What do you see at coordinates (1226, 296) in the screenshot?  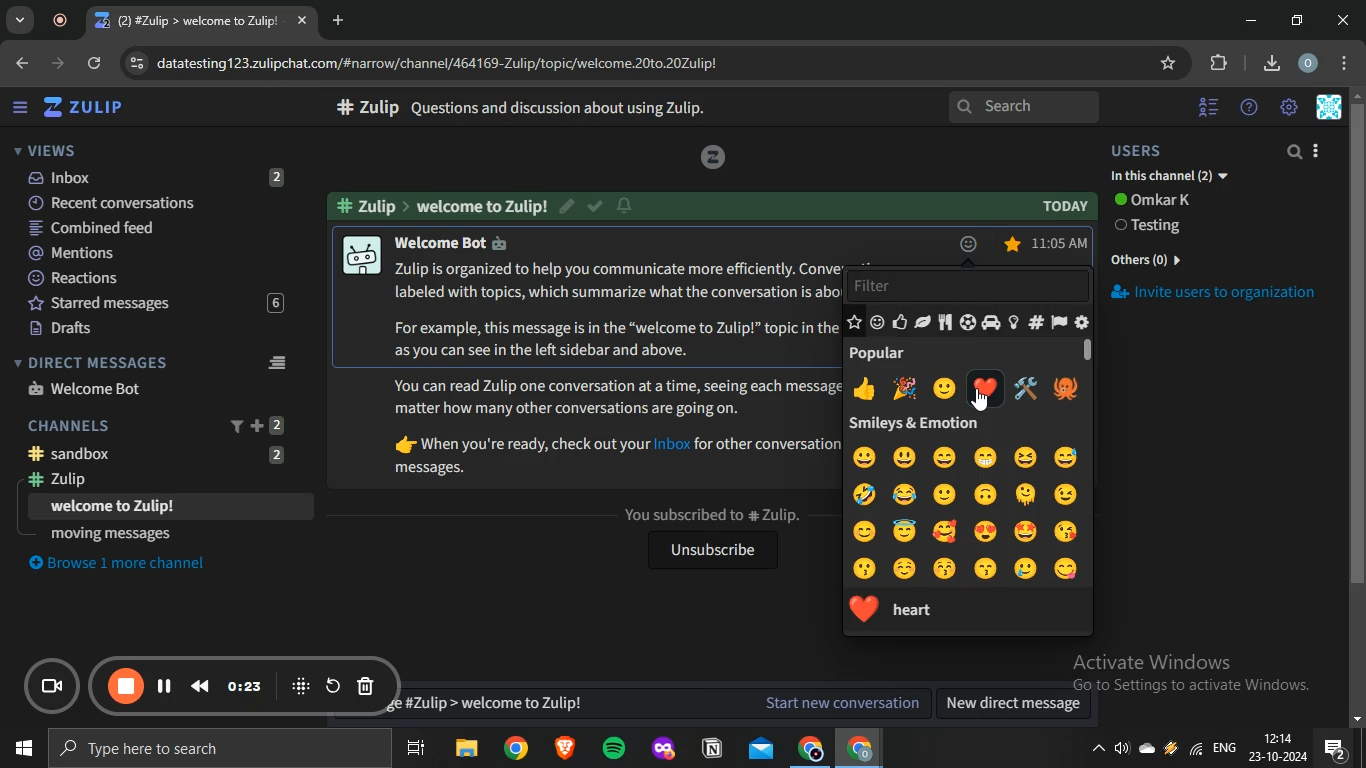 I see `invite users to organization` at bounding box center [1226, 296].